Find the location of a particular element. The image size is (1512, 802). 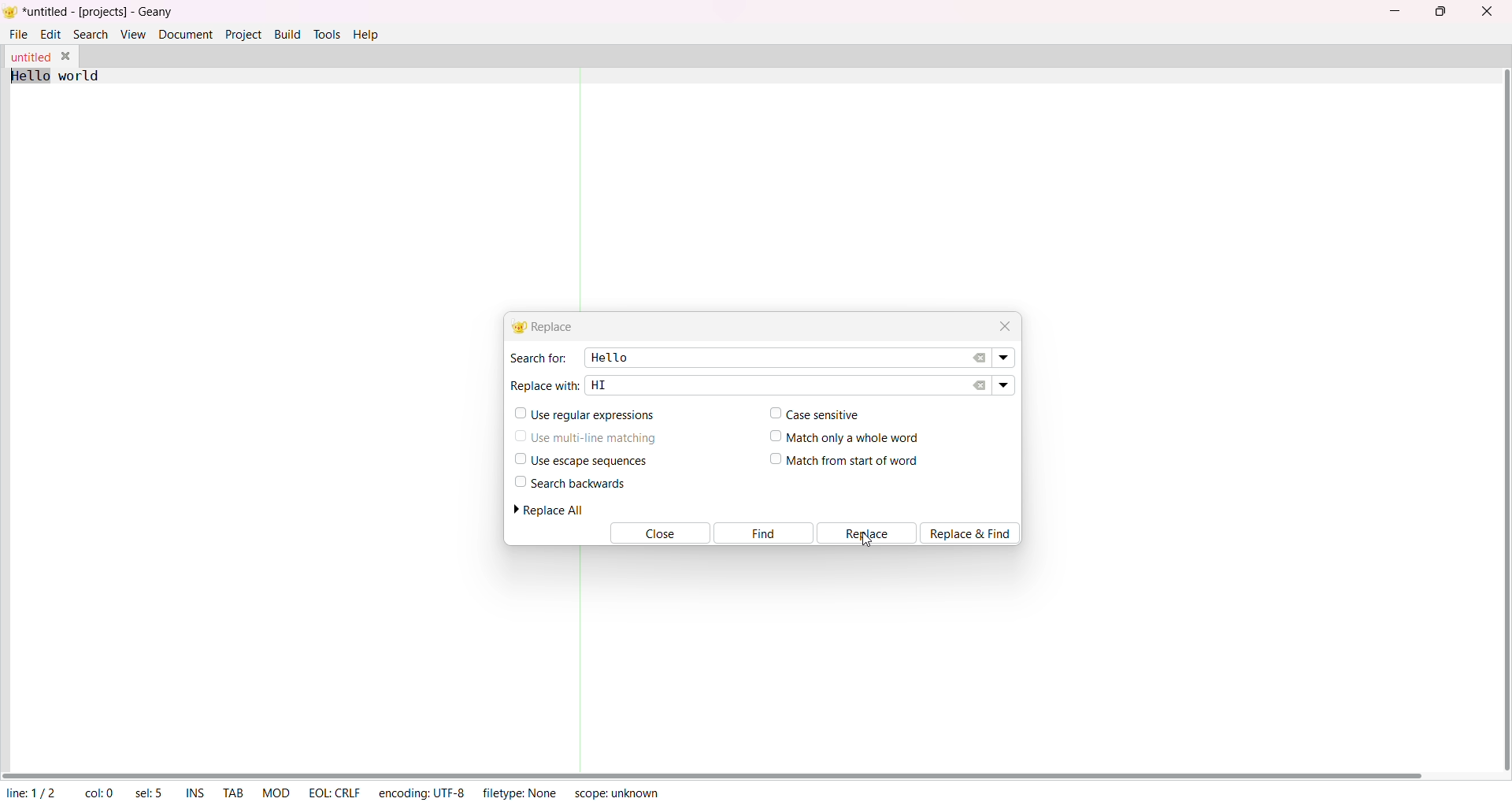

hello is located at coordinates (607, 356).